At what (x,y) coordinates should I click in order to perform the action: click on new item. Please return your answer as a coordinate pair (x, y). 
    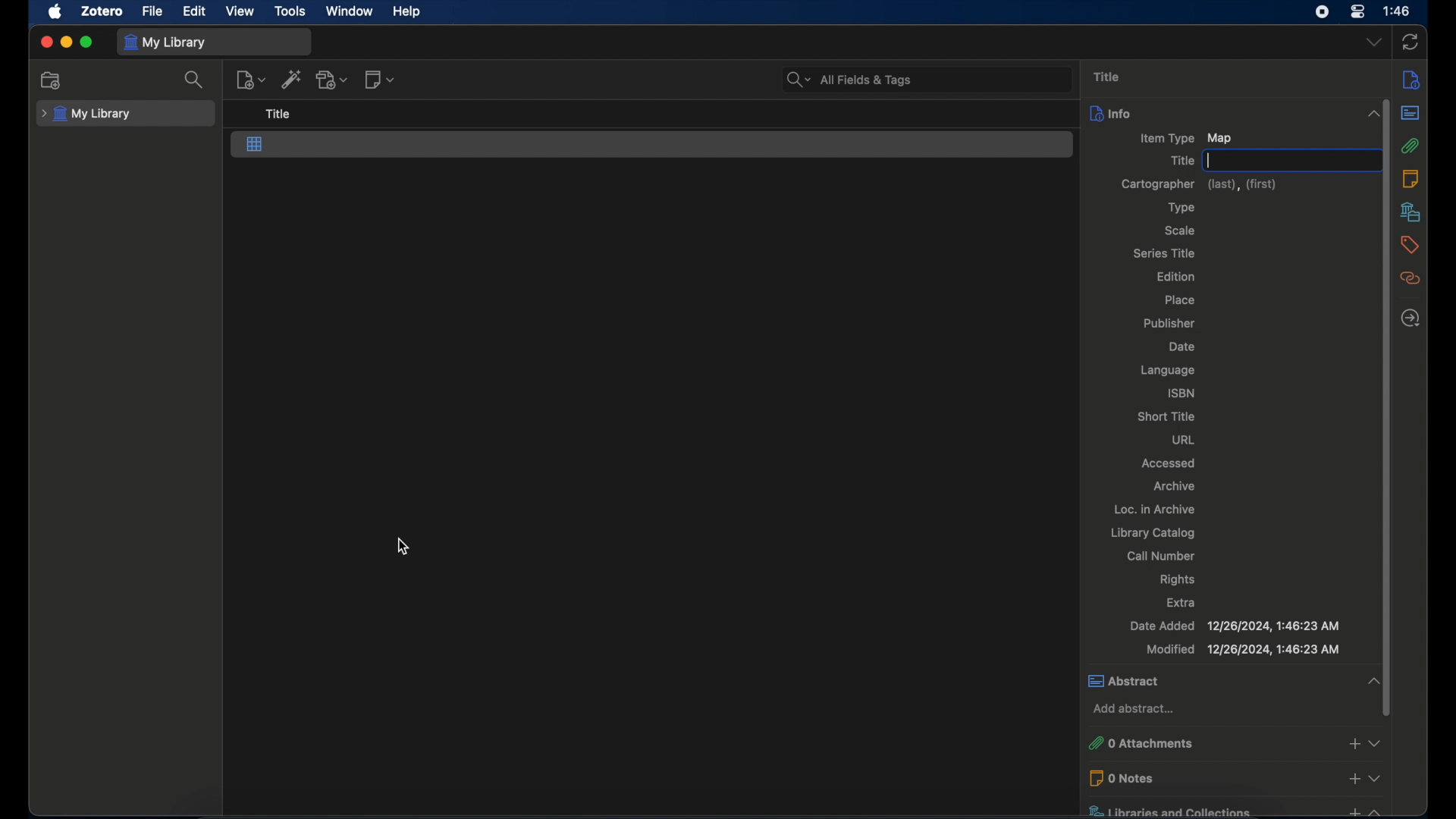
    Looking at the image, I should click on (251, 80).